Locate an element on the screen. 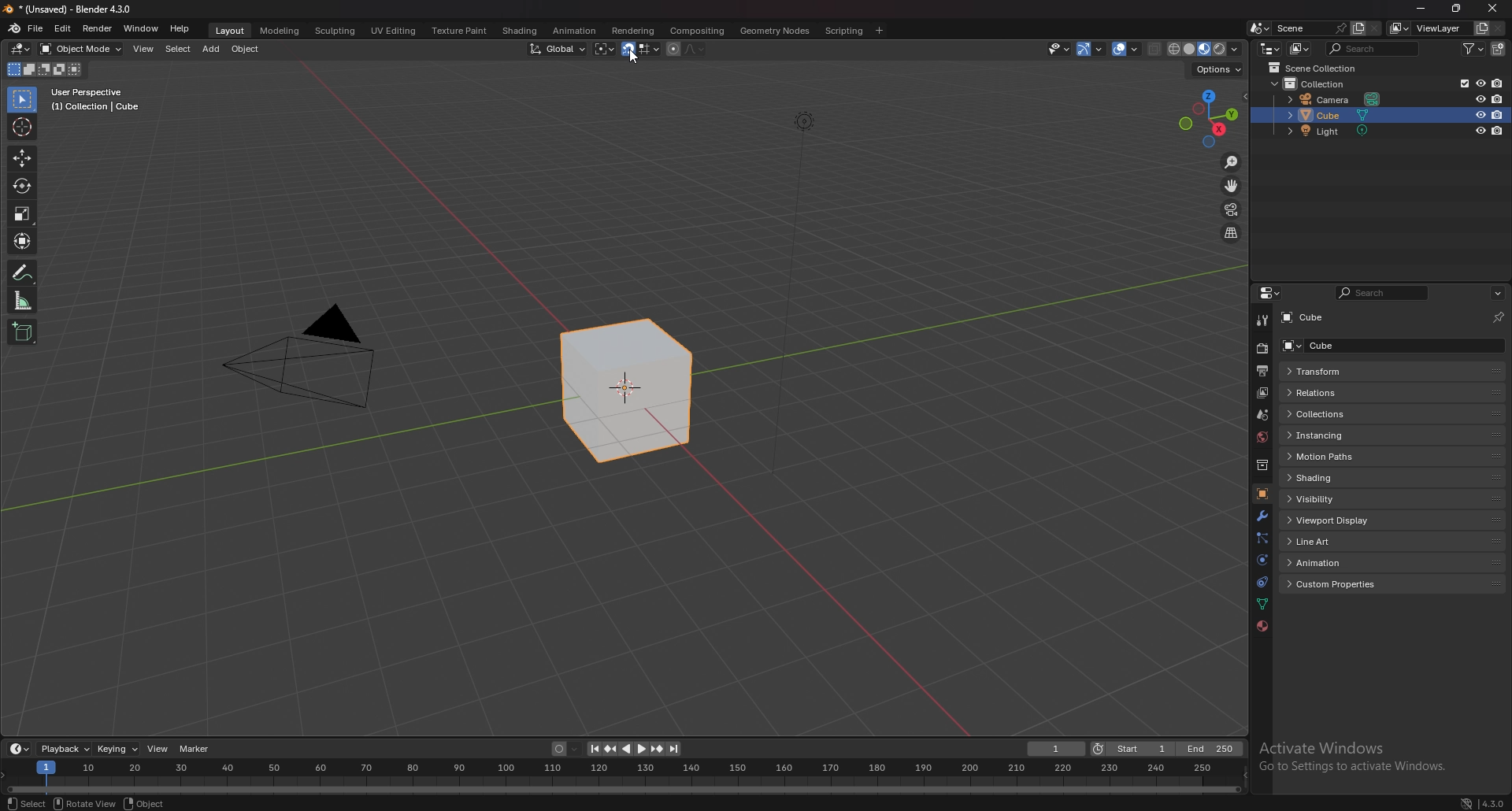 Image resolution: width=1512 pixels, height=811 pixels. line art is located at coordinates (1335, 541).